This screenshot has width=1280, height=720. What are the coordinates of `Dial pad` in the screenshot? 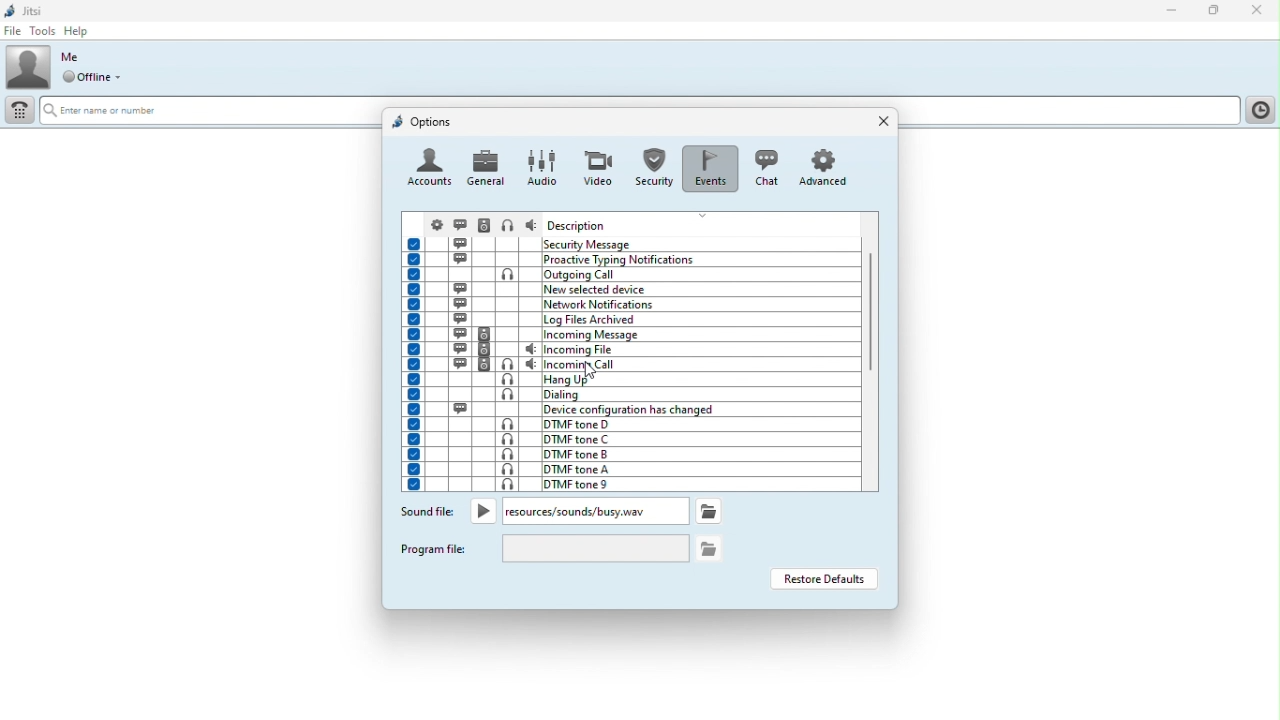 It's located at (18, 113).